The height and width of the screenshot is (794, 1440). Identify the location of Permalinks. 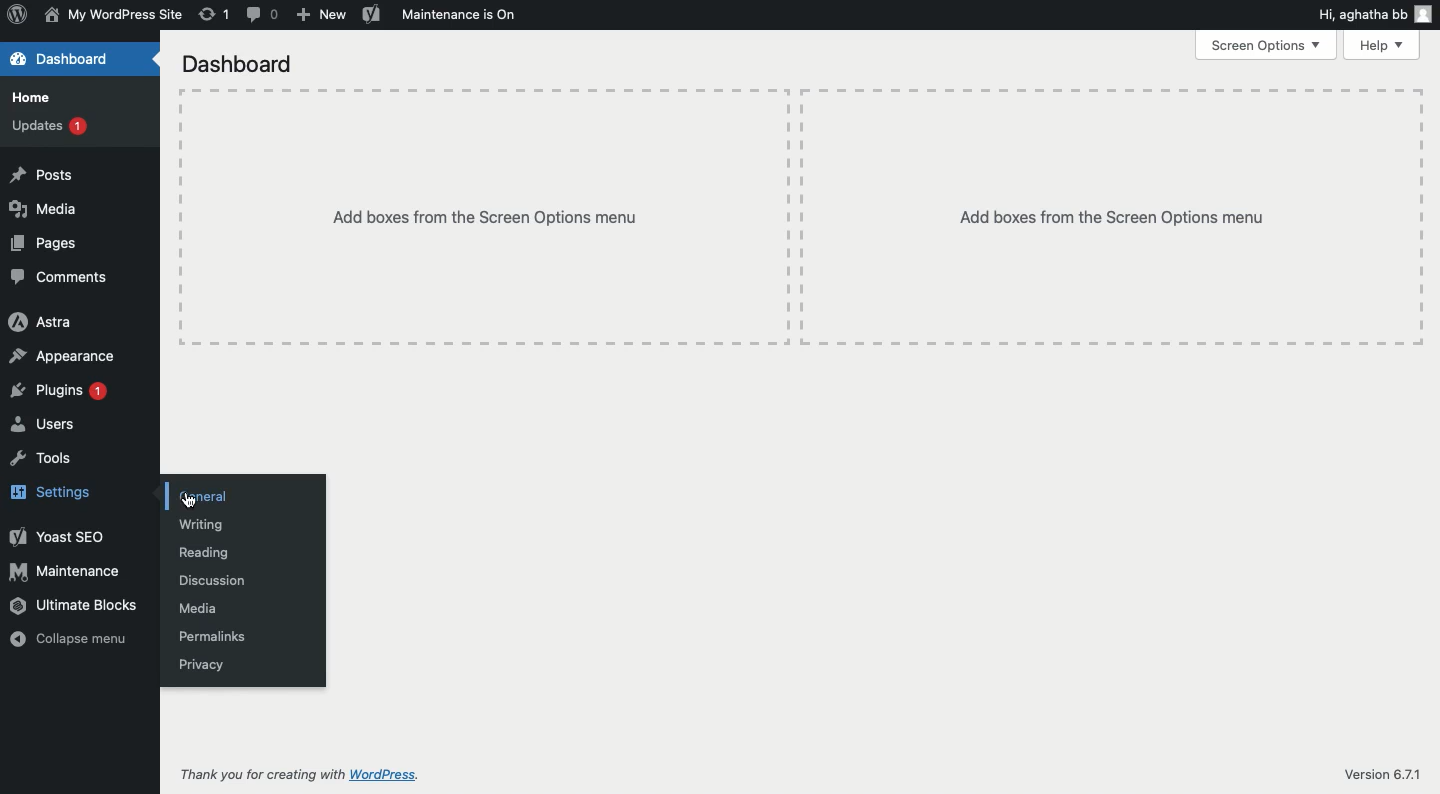
(215, 639).